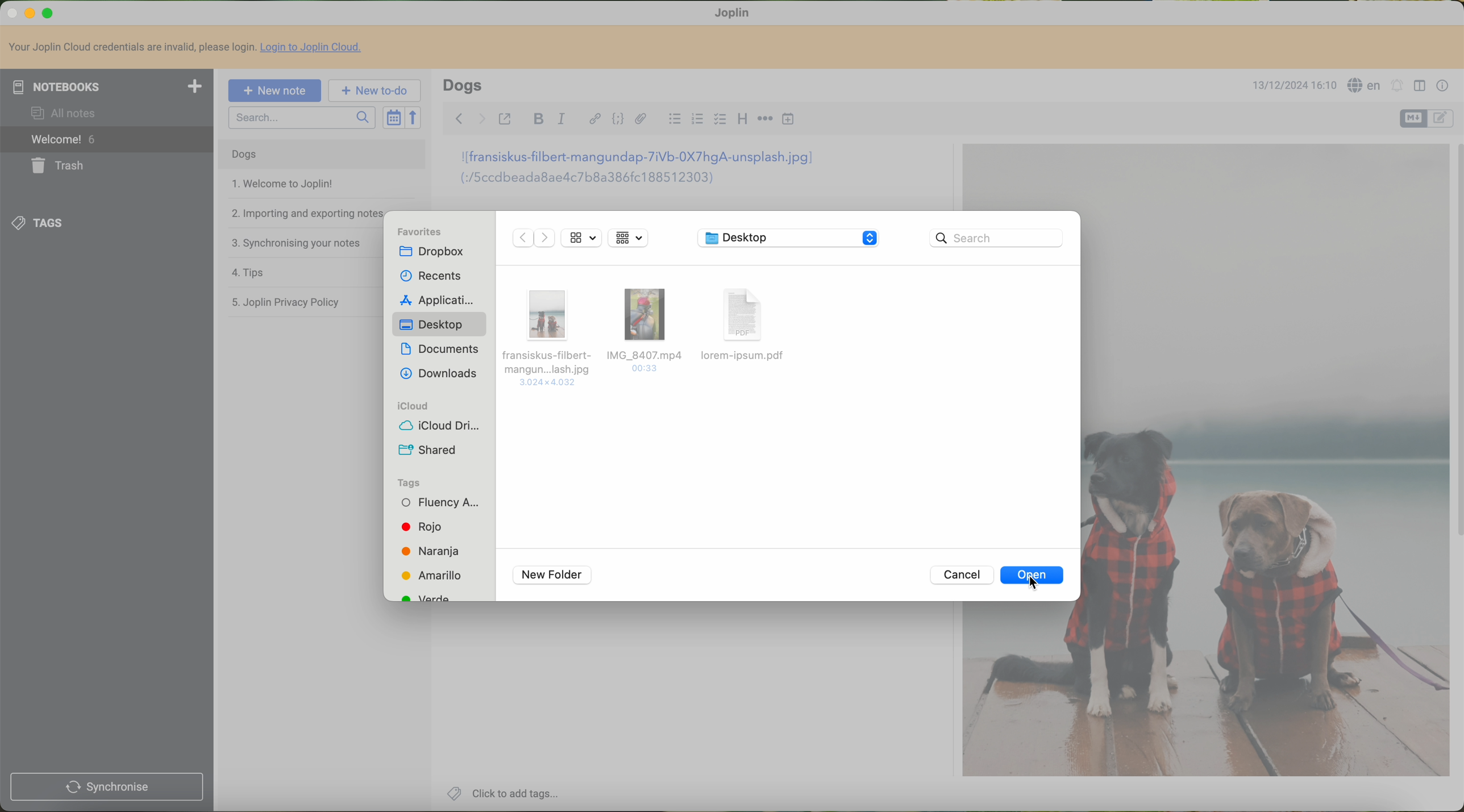 This screenshot has height=812, width=1464. I want to click on fransiskus-filbert-
mangun...lash.jpg
3.024x4.032, so click(545, 335).